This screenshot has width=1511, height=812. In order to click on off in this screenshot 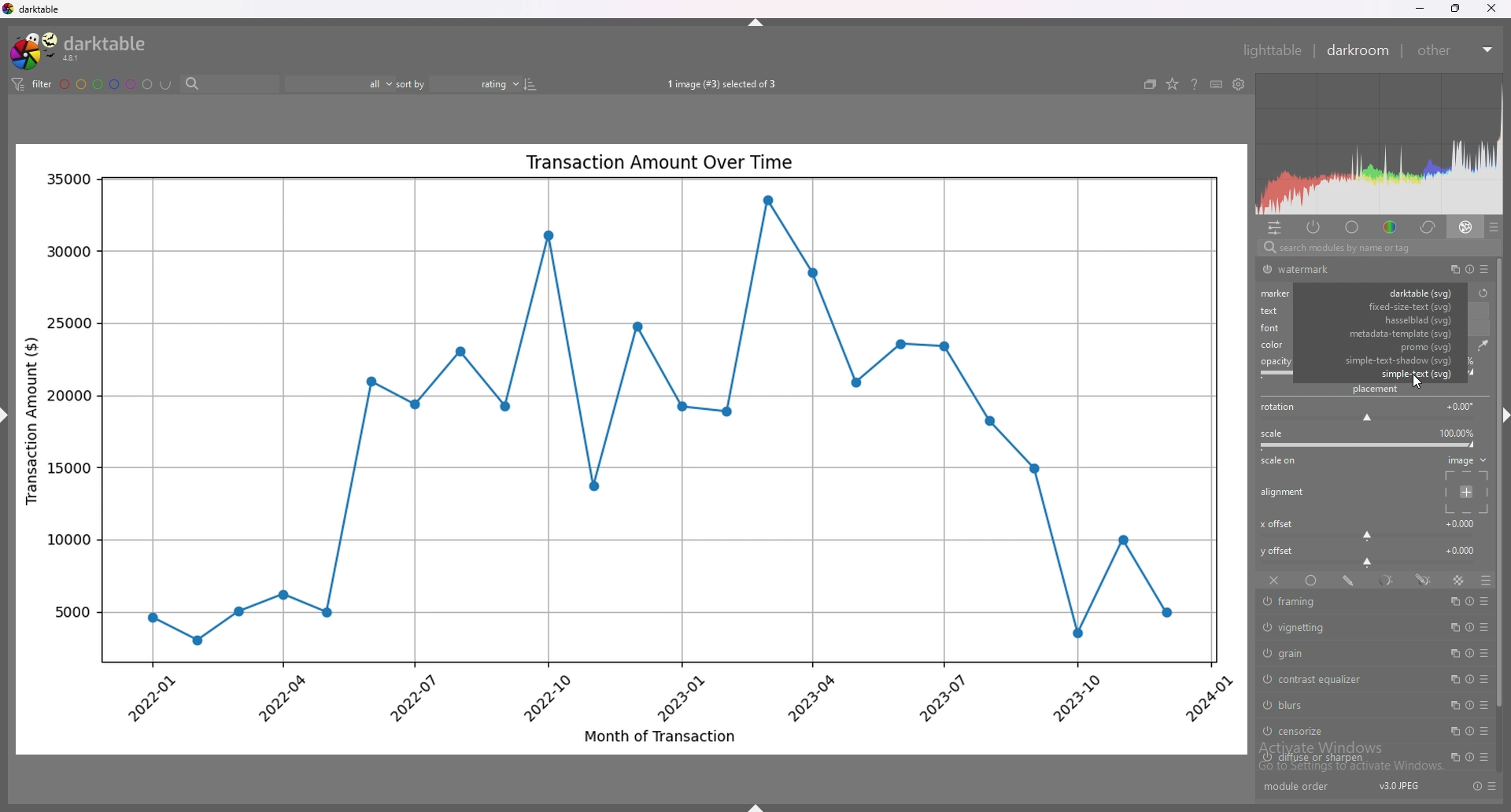, I will do `click(1273, 581)`.